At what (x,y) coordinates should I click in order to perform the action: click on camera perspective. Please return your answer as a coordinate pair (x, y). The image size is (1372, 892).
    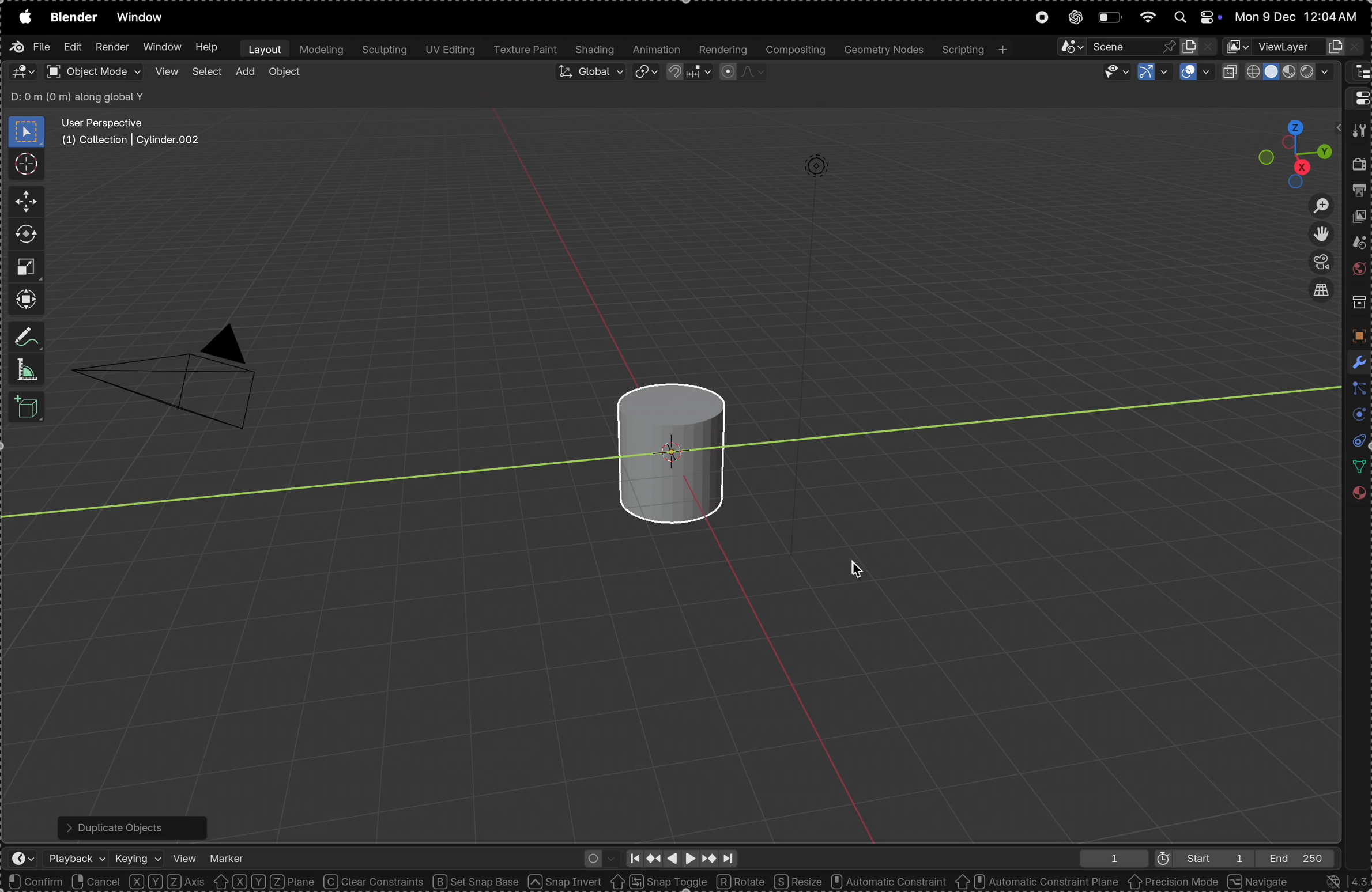
    Looking at the image, I should click on (174, 369).